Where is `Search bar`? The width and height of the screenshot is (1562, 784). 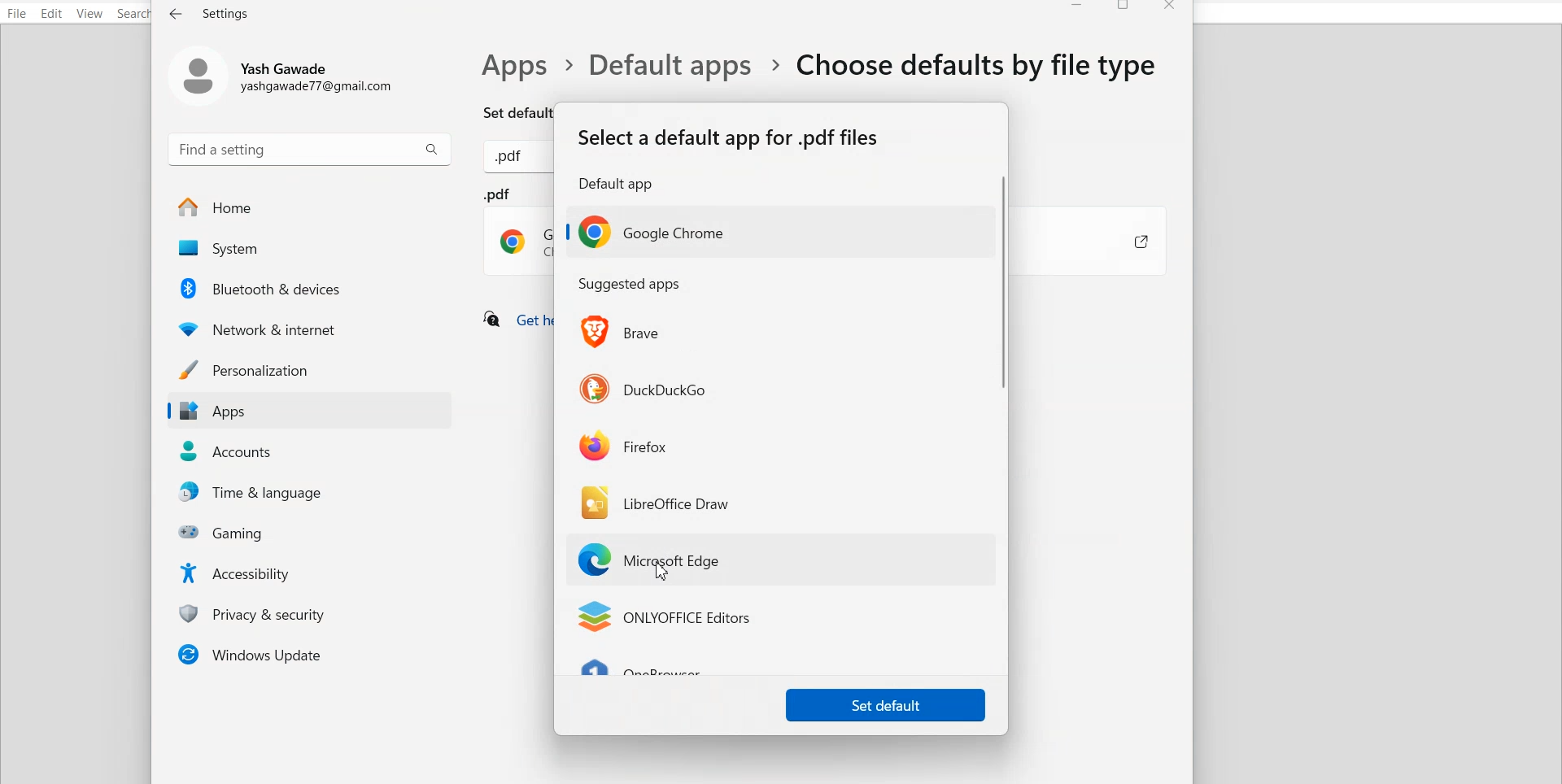
Search bar is located at coordinates (310, 148).